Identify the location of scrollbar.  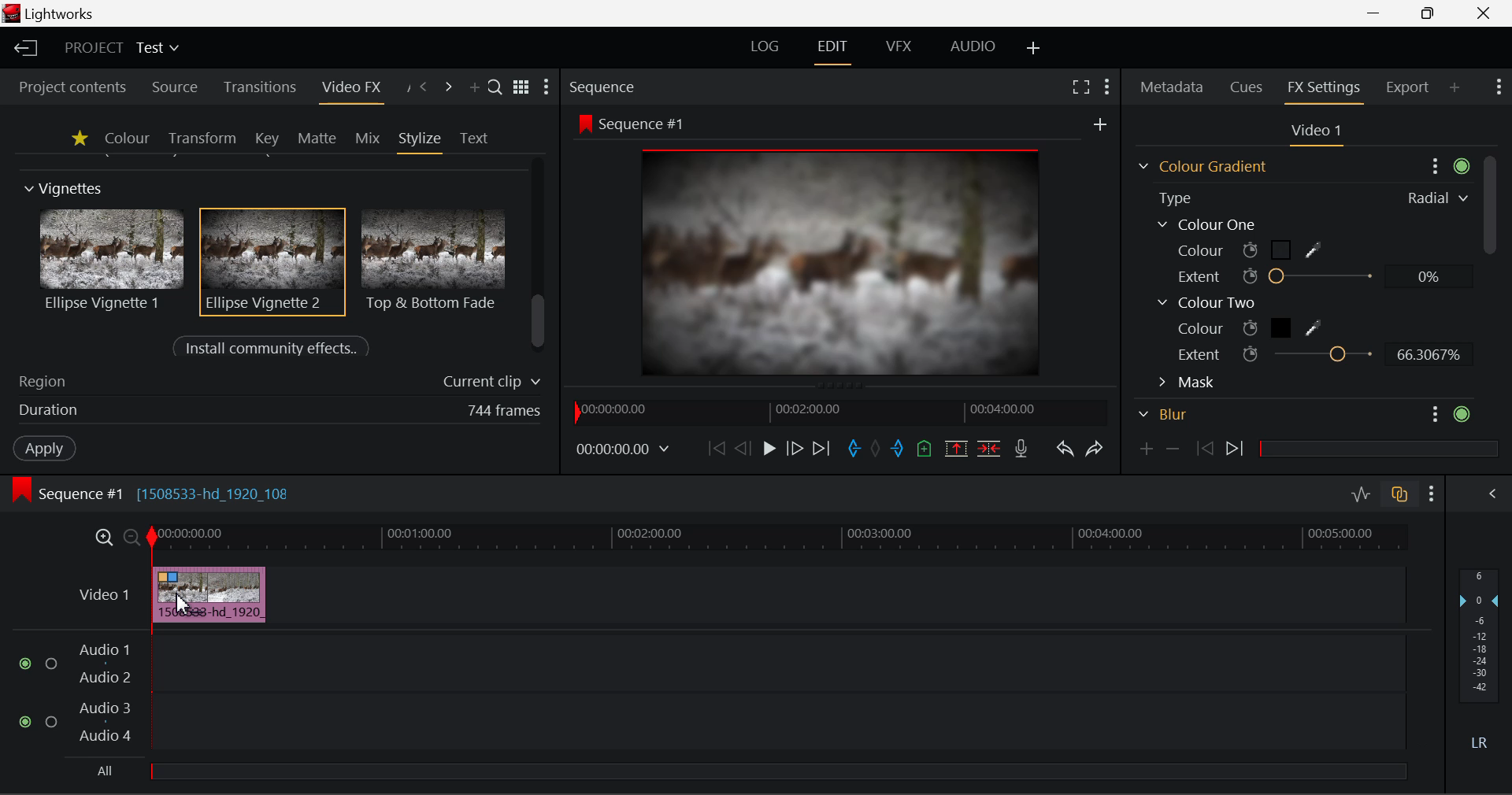
(540, 322).